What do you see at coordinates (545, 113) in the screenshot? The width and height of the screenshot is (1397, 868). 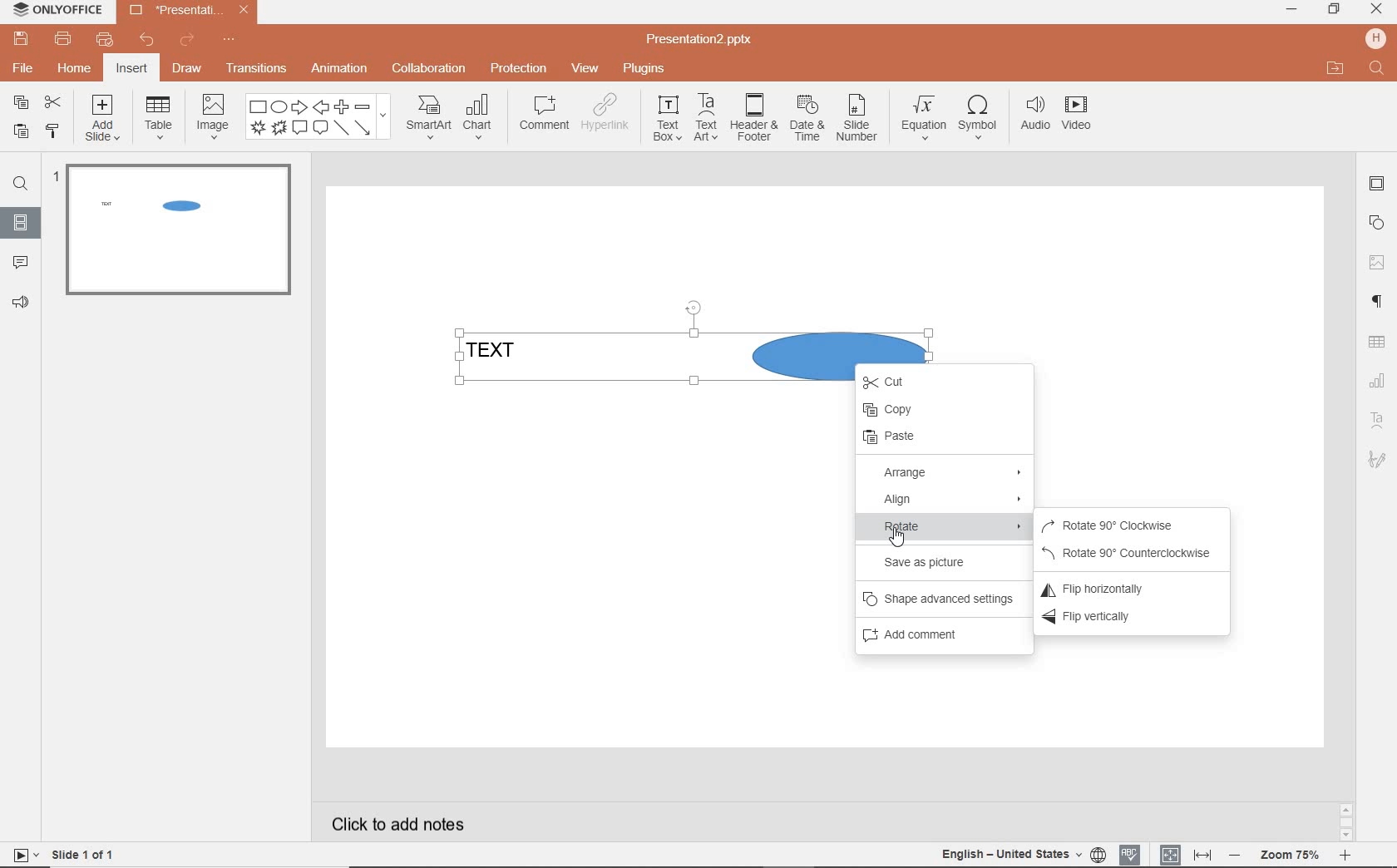 I see `comment` at bounding box center [545, 113].